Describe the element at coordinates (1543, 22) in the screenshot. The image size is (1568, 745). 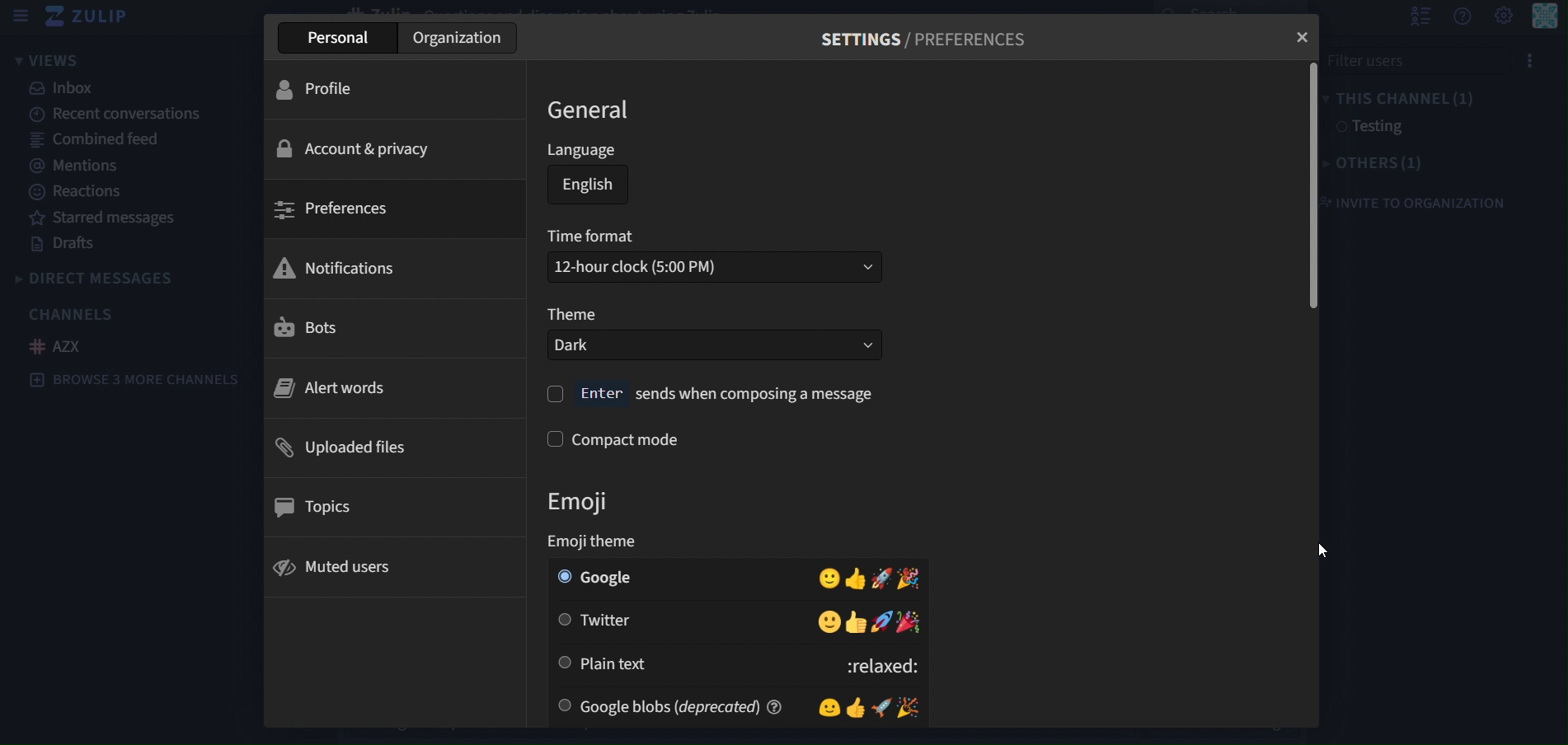
I see `personal menu` at that location.